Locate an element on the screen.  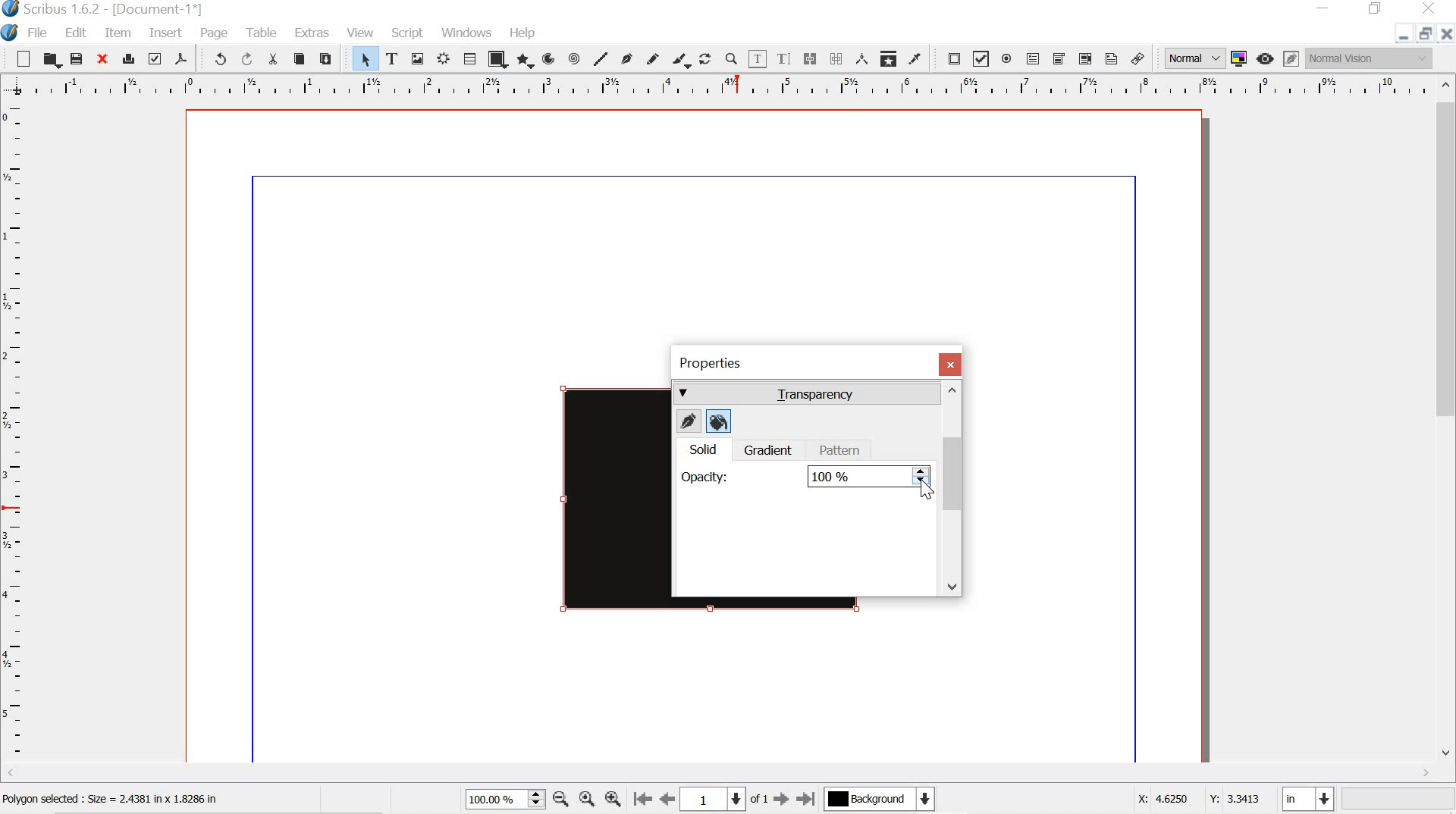
zoom in is located at coordinates (611, 801).